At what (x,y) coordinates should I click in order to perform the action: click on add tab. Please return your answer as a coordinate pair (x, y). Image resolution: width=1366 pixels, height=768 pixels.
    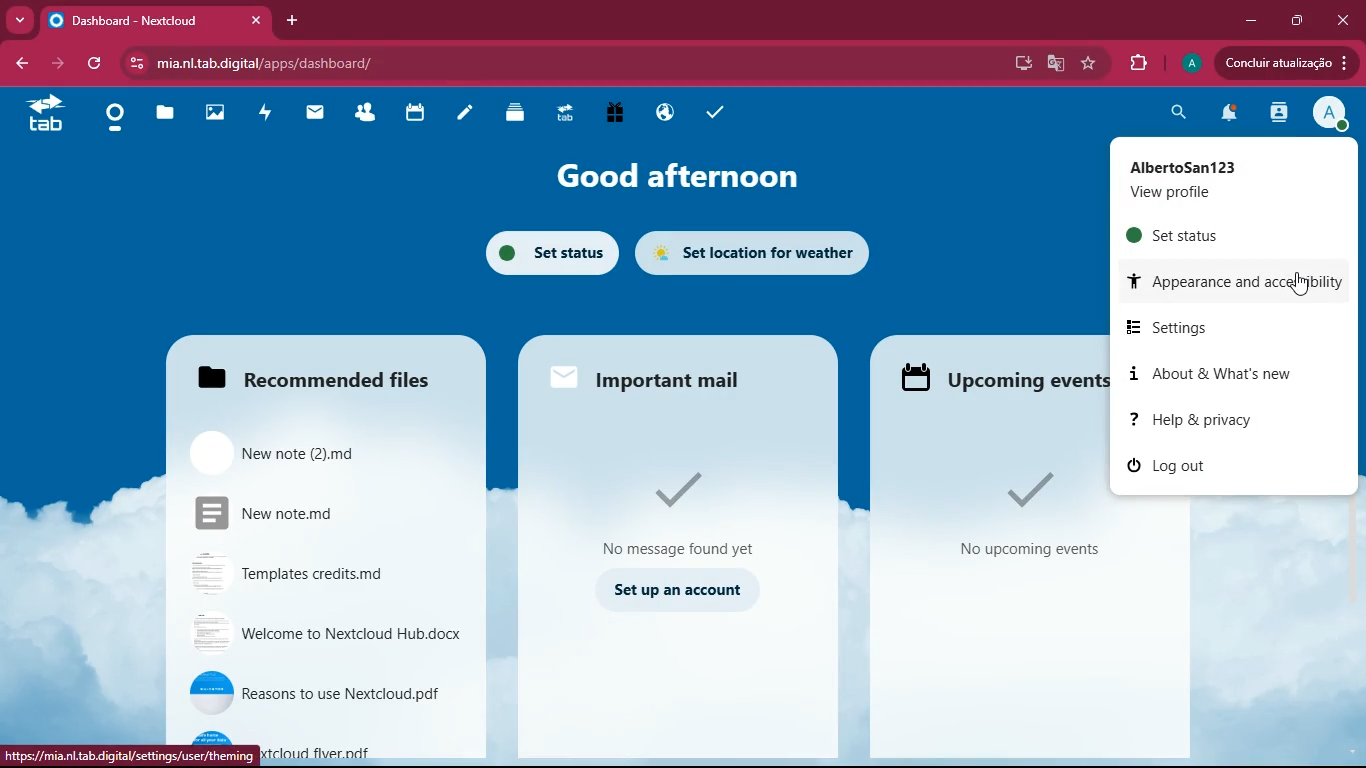
    Looking at the image, I should click on (289, 20).